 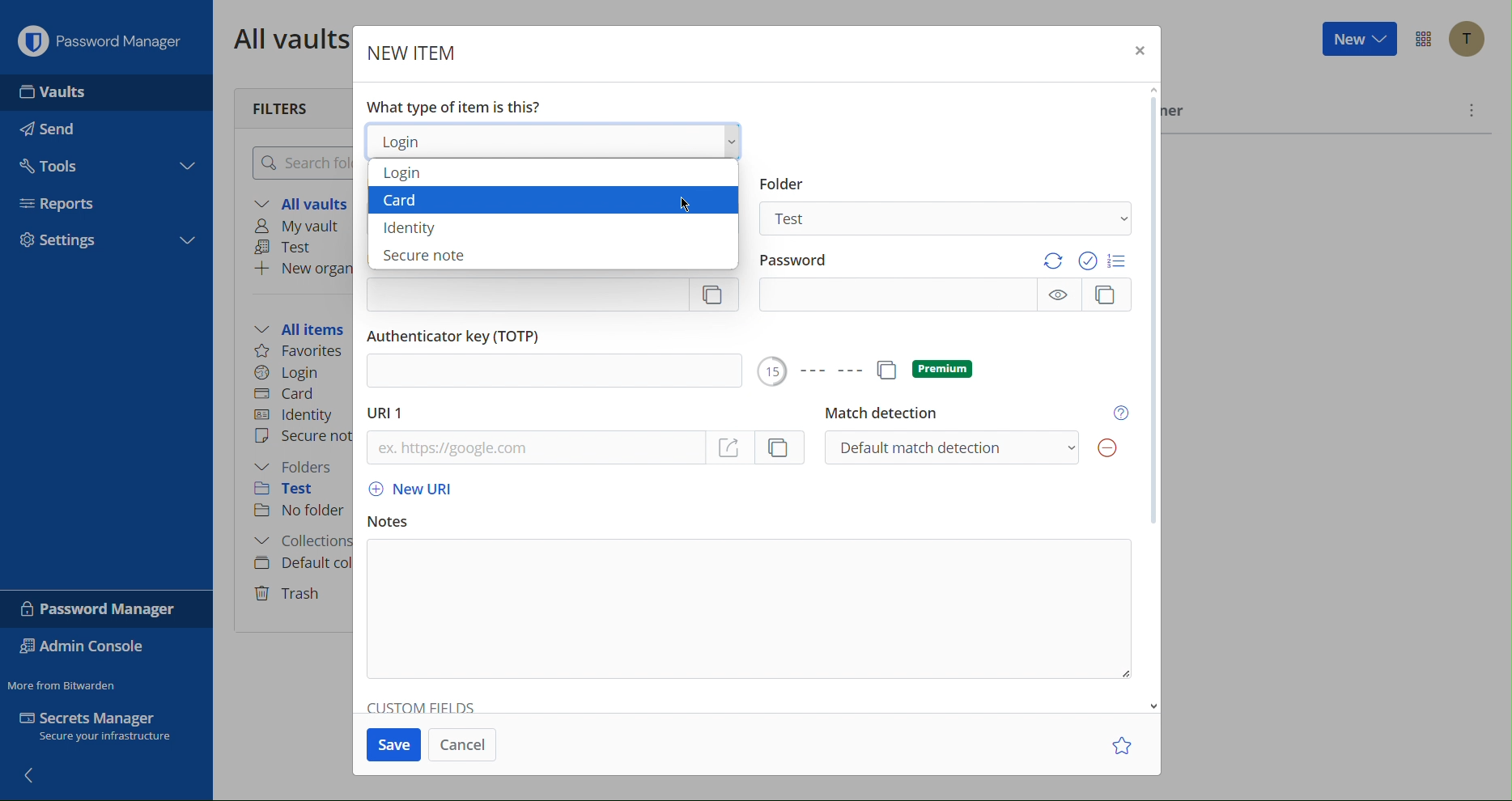 What do you see at coordinates (592, 451) in the screenshot?
I see `URL` at bounding box center [592, 451].